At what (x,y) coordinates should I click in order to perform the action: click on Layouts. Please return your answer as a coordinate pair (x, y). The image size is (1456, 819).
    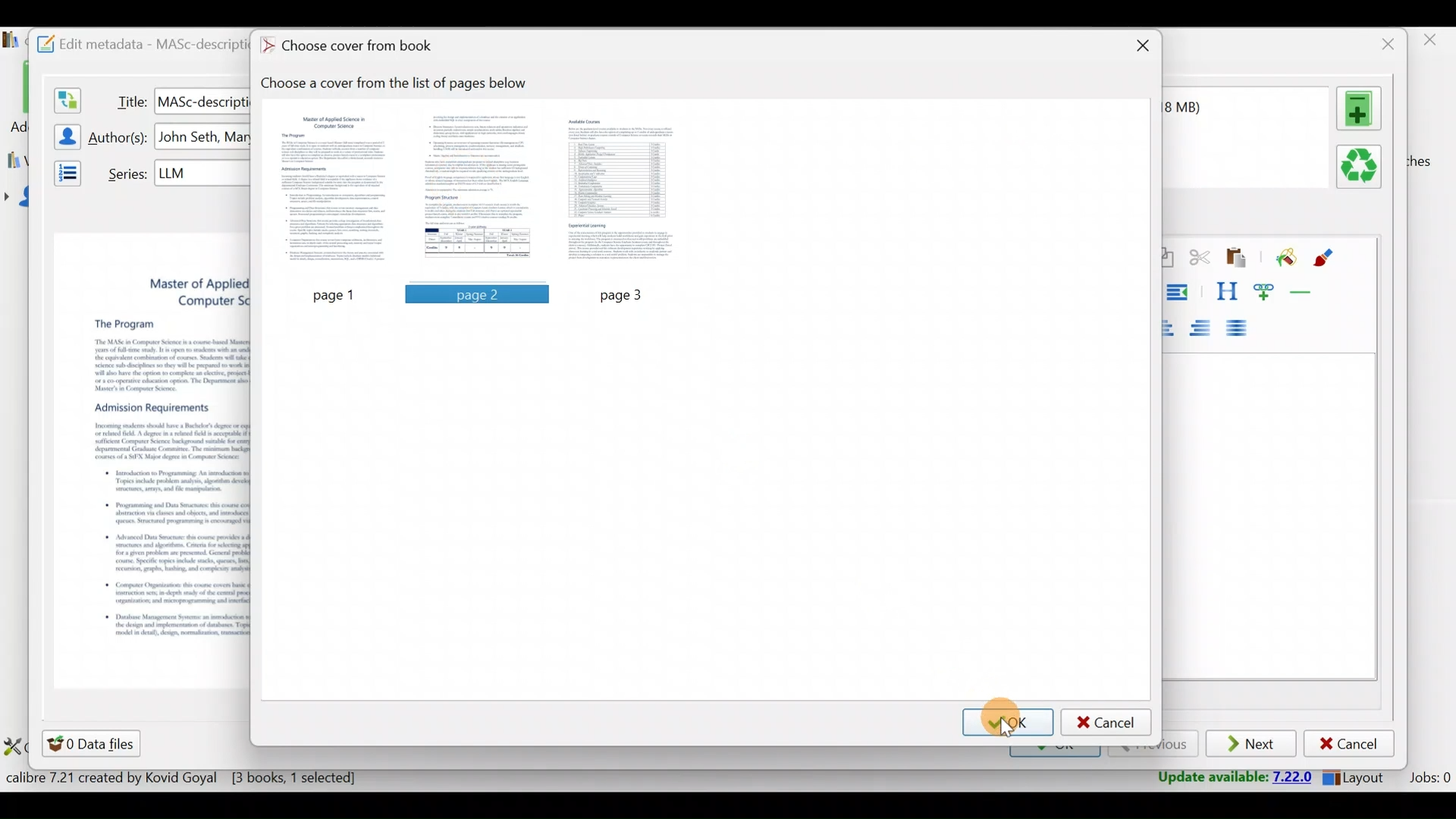
    Looking at the image, I should click on (1358, 777).